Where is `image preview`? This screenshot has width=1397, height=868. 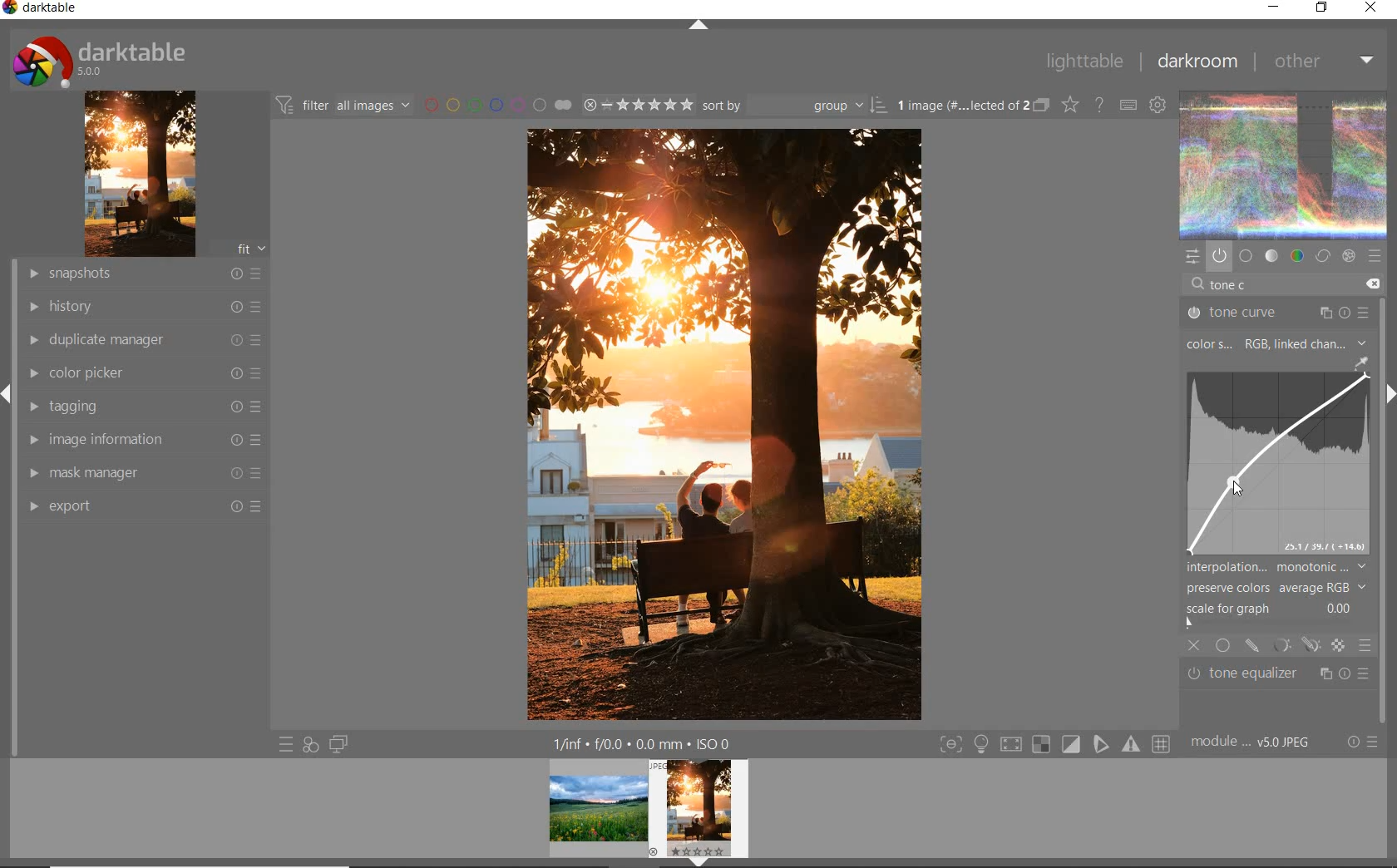
image preview is located at coordinates (647, 806).